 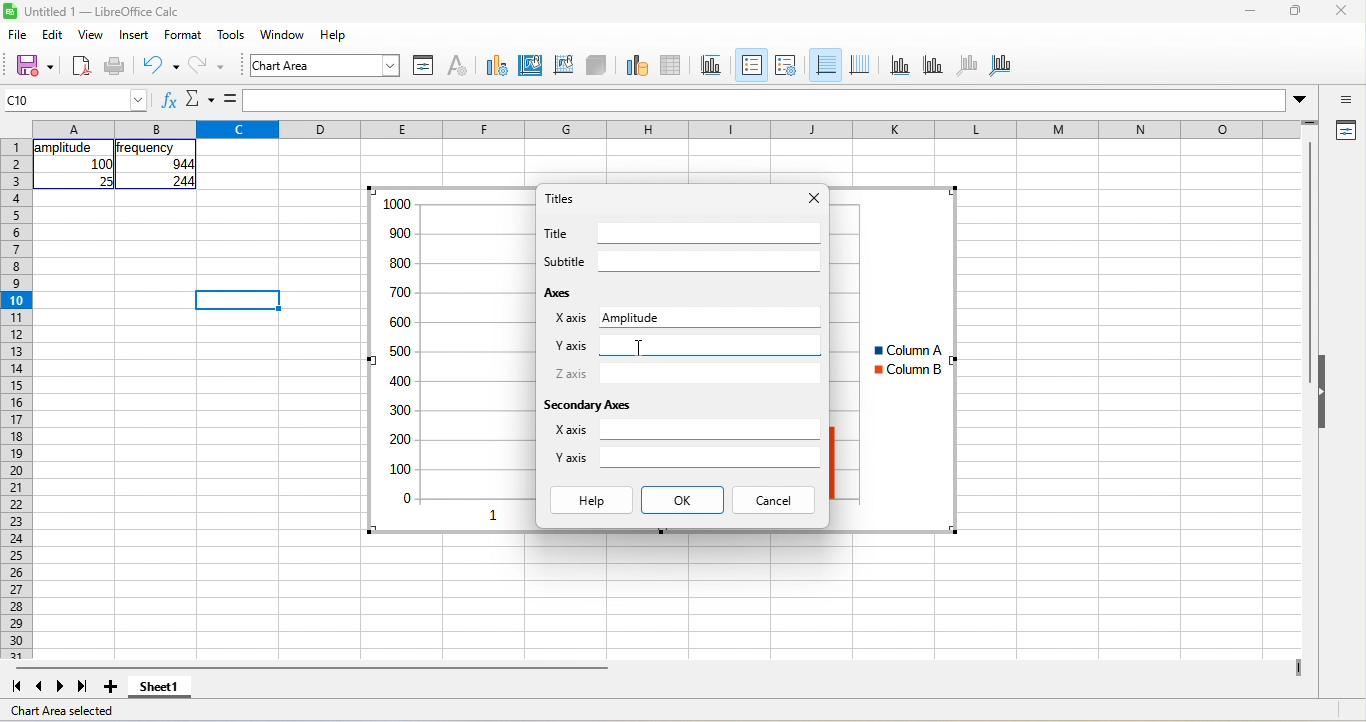 What do you see at coordinates (773, 500) in the screenshot?
I see `cancel` at bounding box center [773, 500].